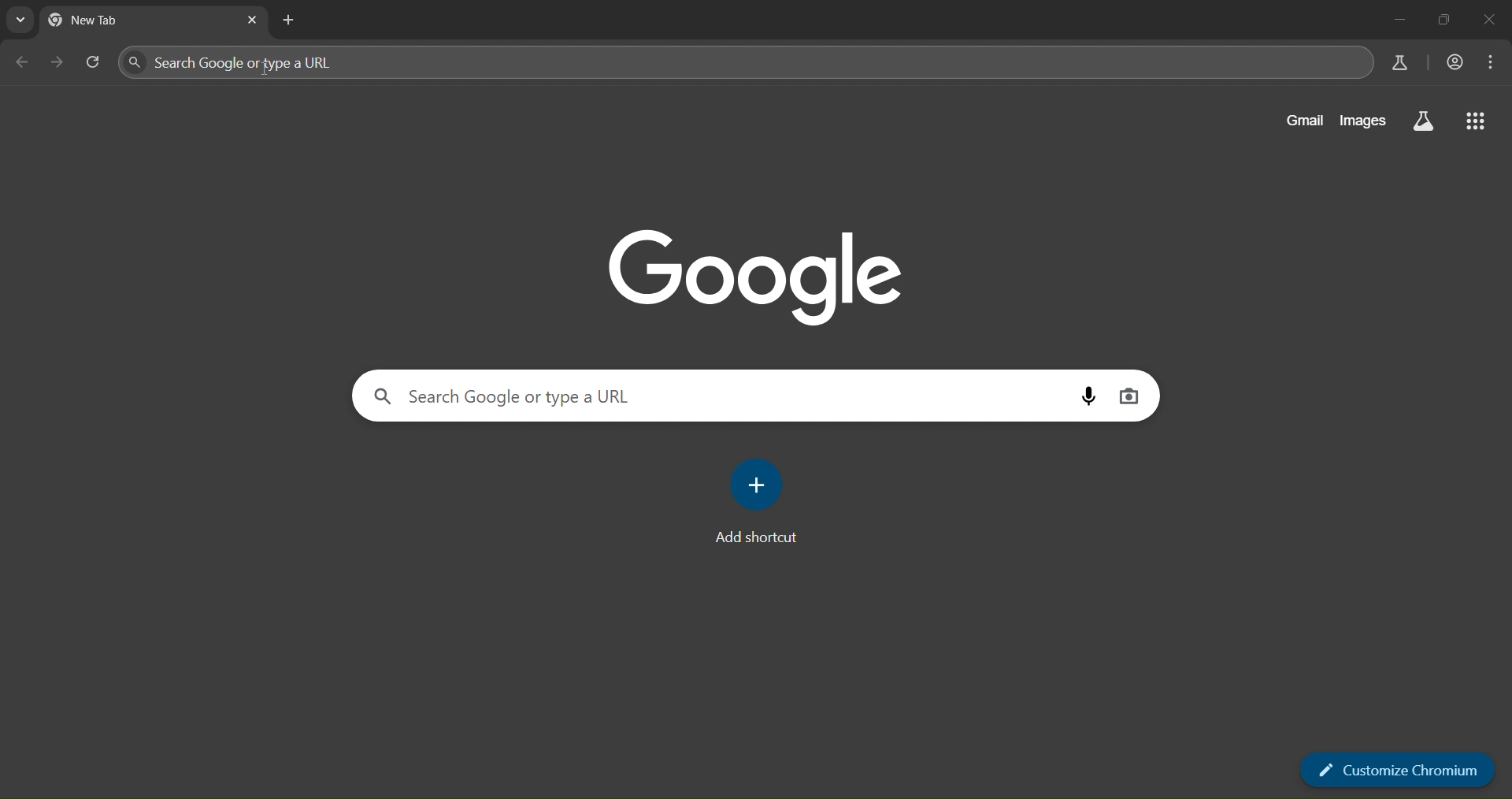 This screenshot has height=799, width=1512. Describe the element at coordinates (1447, 19) in the screenshot. I see `Maximize` at that location.